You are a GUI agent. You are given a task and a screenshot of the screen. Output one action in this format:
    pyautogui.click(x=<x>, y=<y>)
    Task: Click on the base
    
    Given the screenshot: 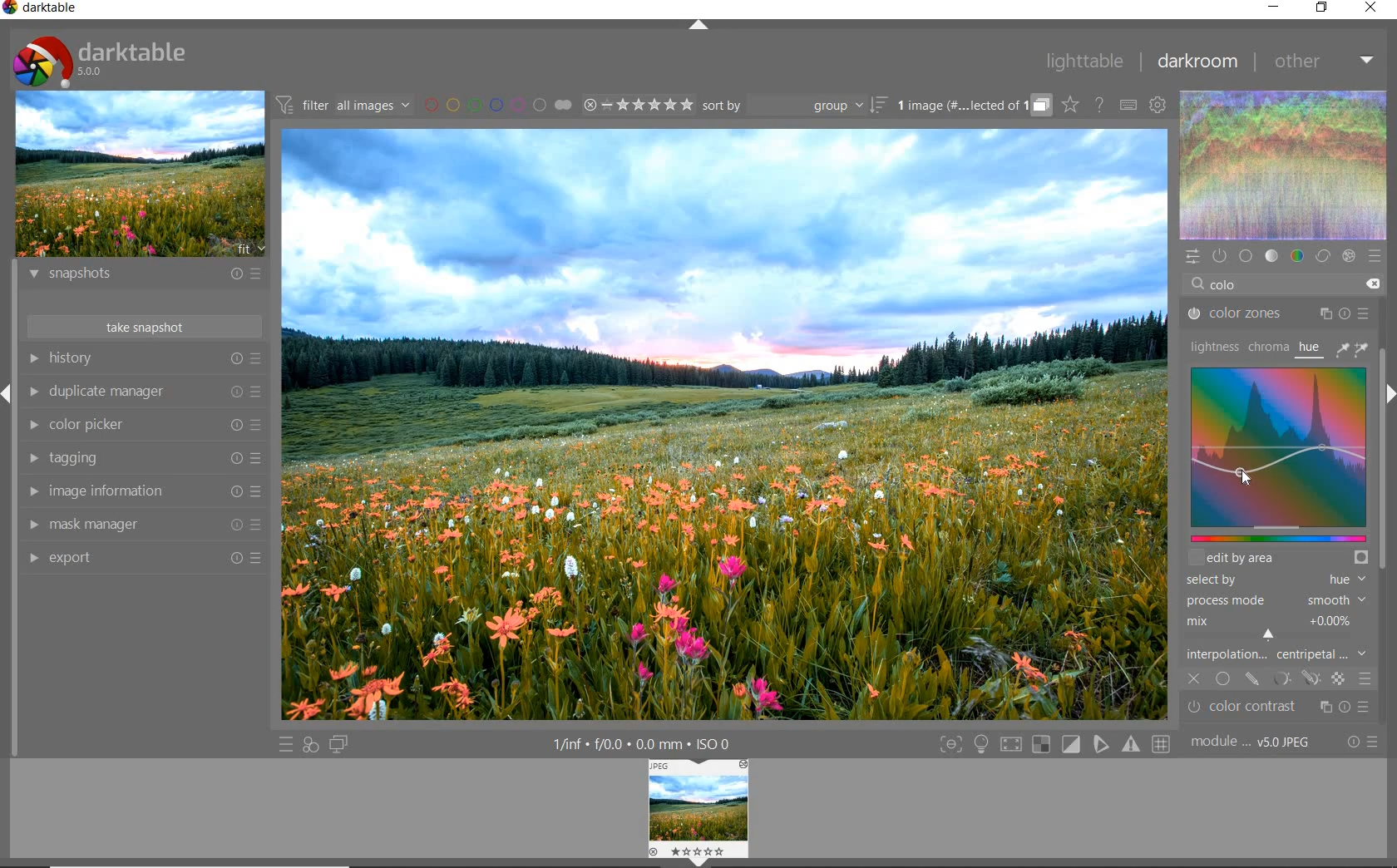 What is the action you would take?
    pyautogui.click(x=1246, y=256)
    